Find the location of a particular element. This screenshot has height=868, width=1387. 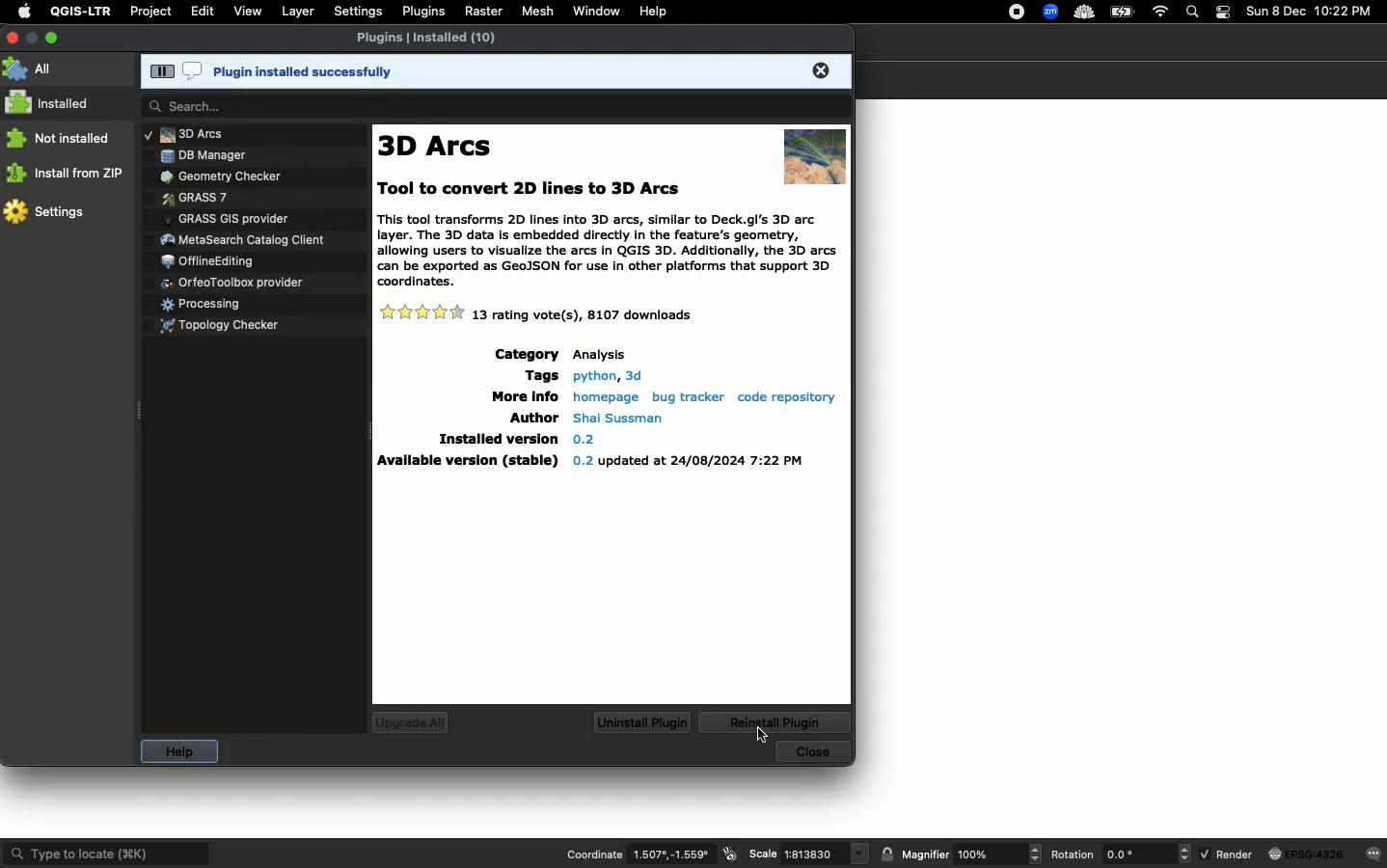

Date time is located at coordinates (1310, 12).